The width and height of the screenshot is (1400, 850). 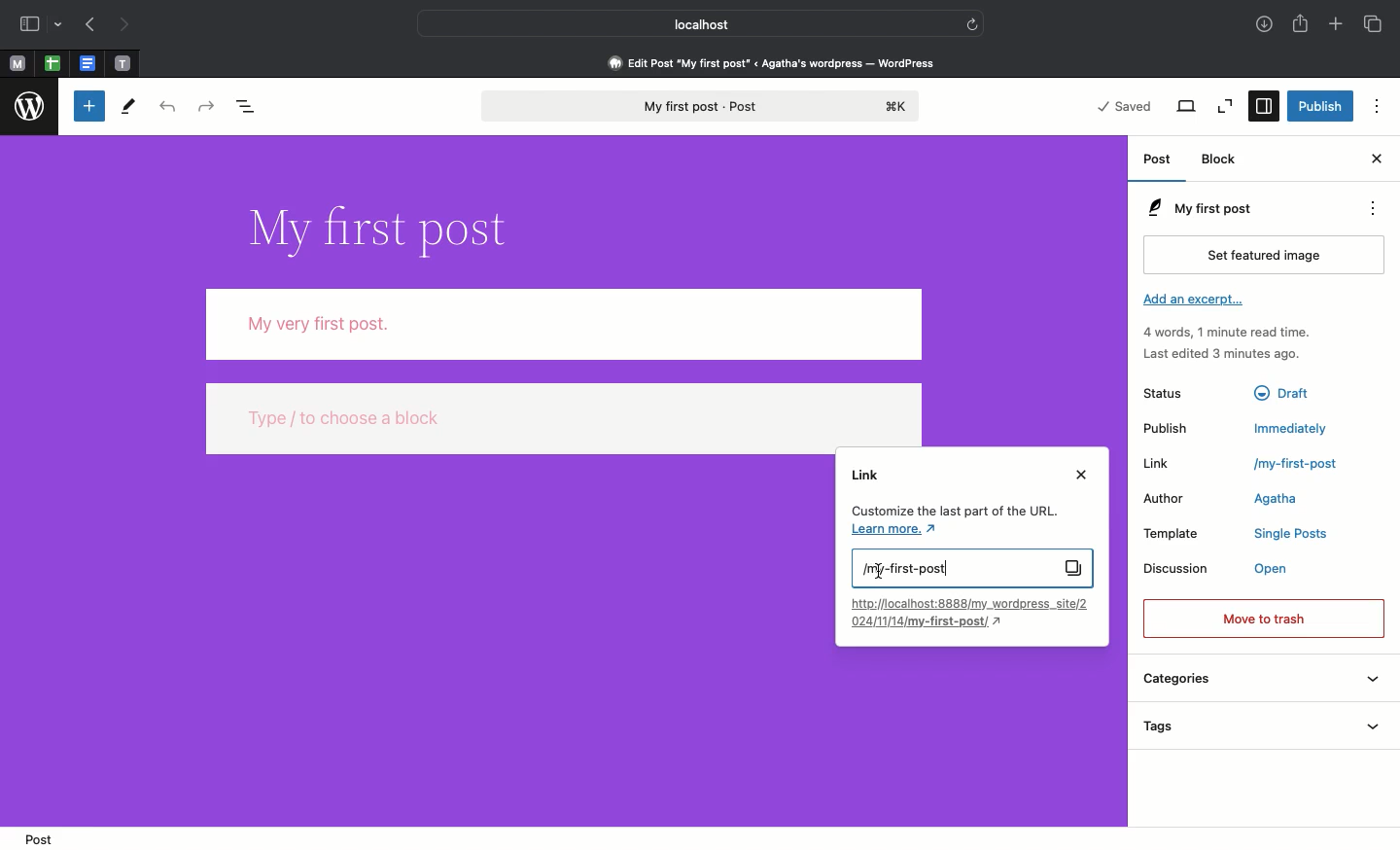 I want to click on Wordpress, so click(x=28, y=107).